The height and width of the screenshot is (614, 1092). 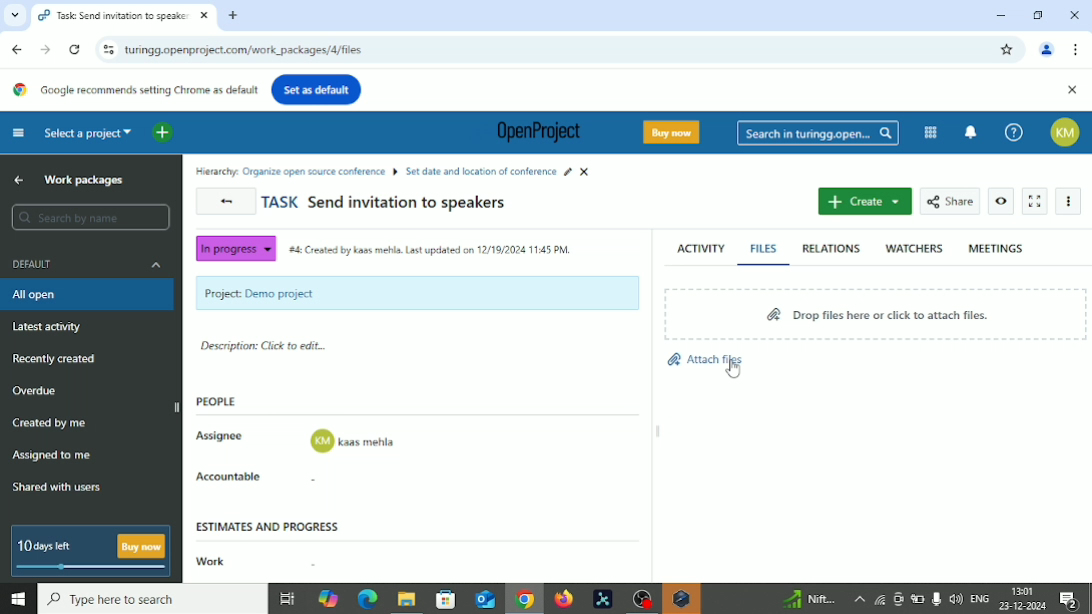 I want to click on Search, so click(x=818, y=134).